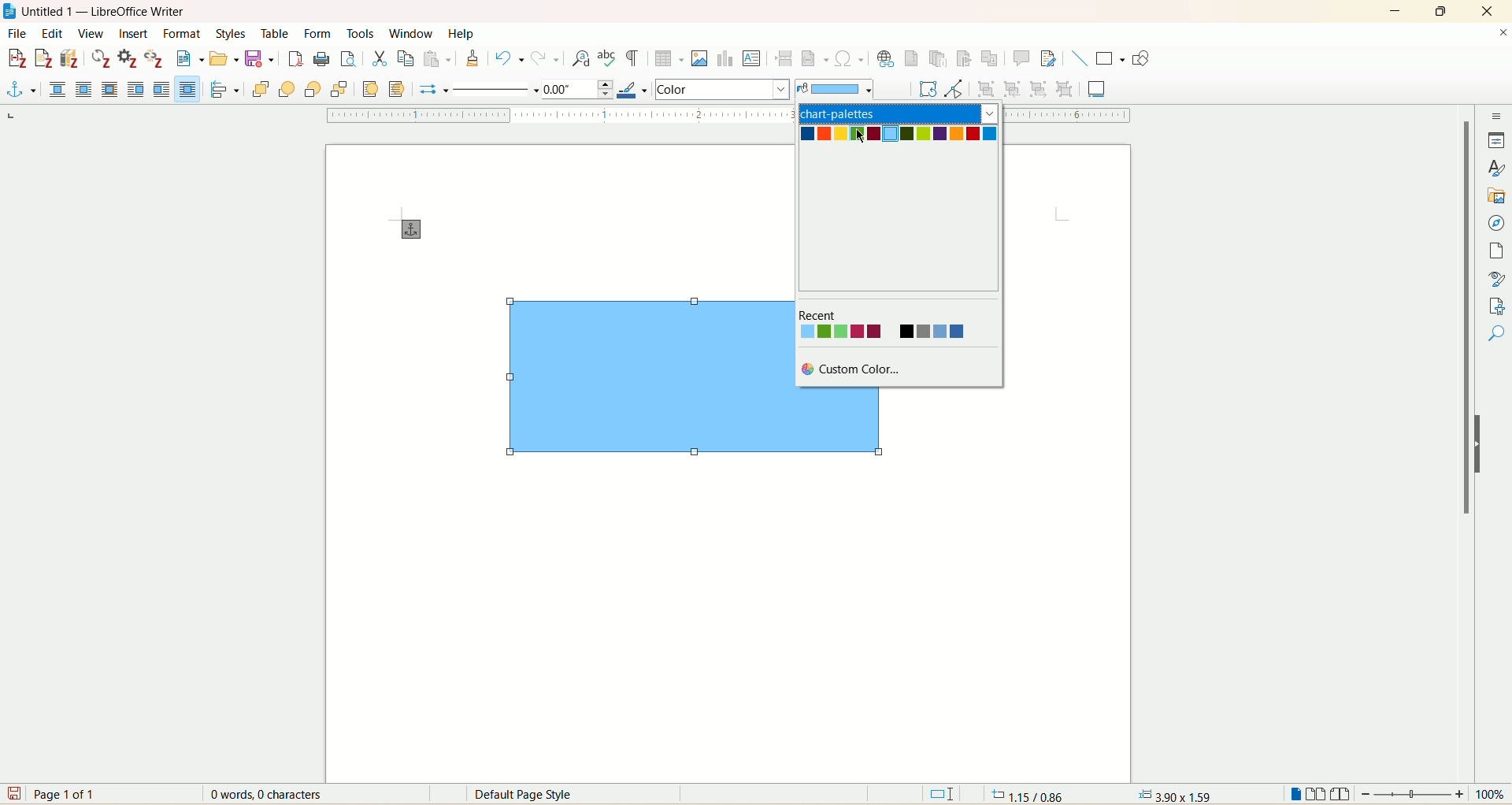 The height and width of the screenshot is (805, 1512). I want to click on parallel, so click(83, 89).